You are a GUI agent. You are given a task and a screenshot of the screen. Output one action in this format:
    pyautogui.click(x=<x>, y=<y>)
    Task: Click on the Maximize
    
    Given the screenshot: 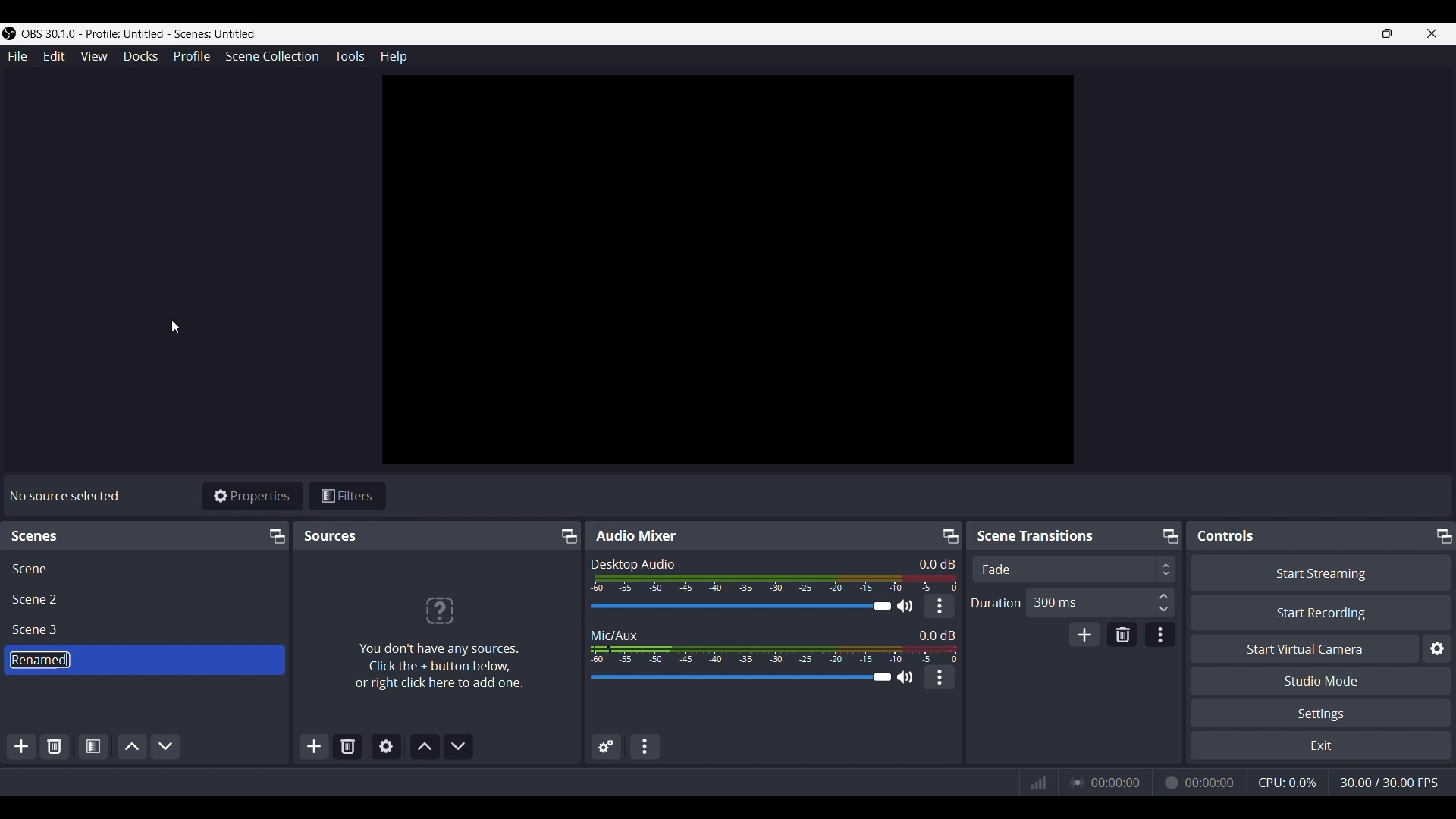 What is the action you would take?
    pyautogui.click(x=1388, y=33)
    